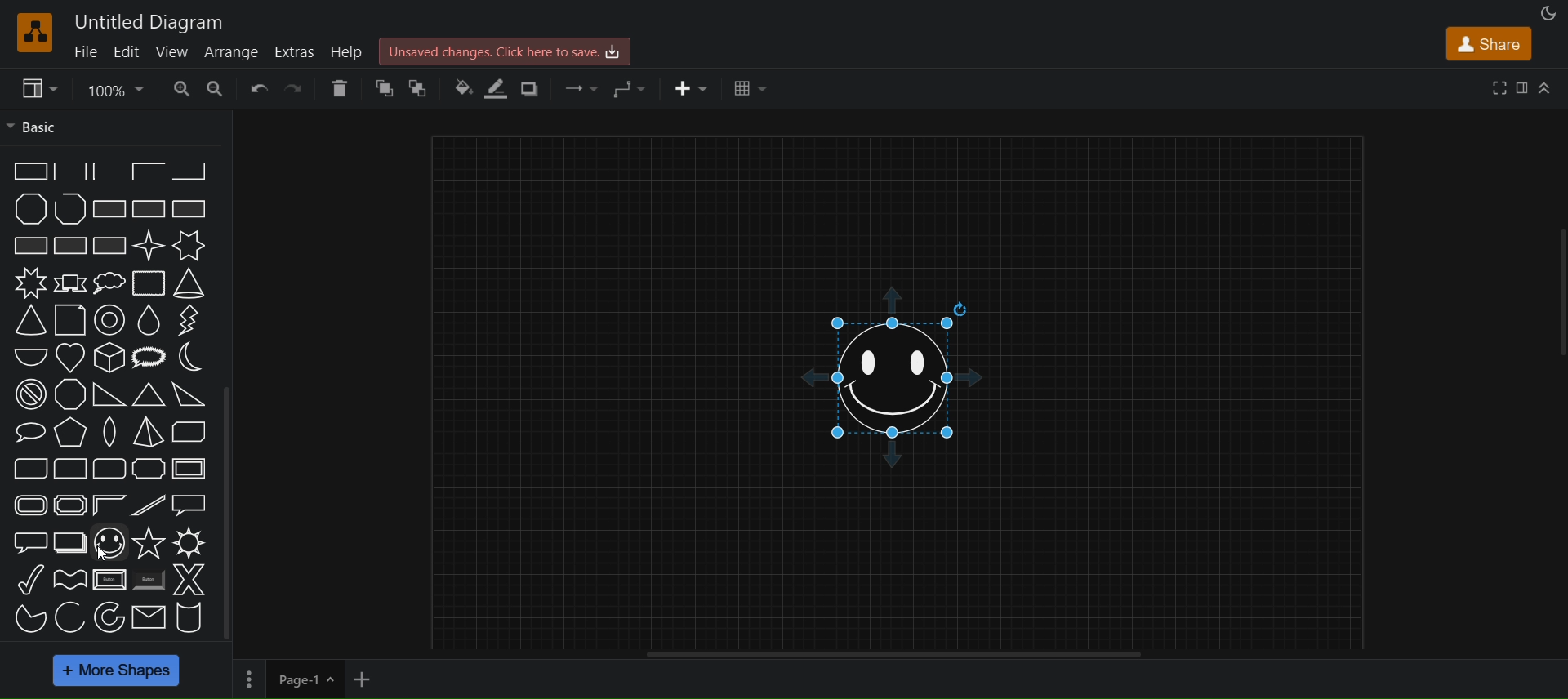 The image size is (1568, 699). Describe the element at coordinates (70, 209) in the screenshot. I see `polyline` at that location.